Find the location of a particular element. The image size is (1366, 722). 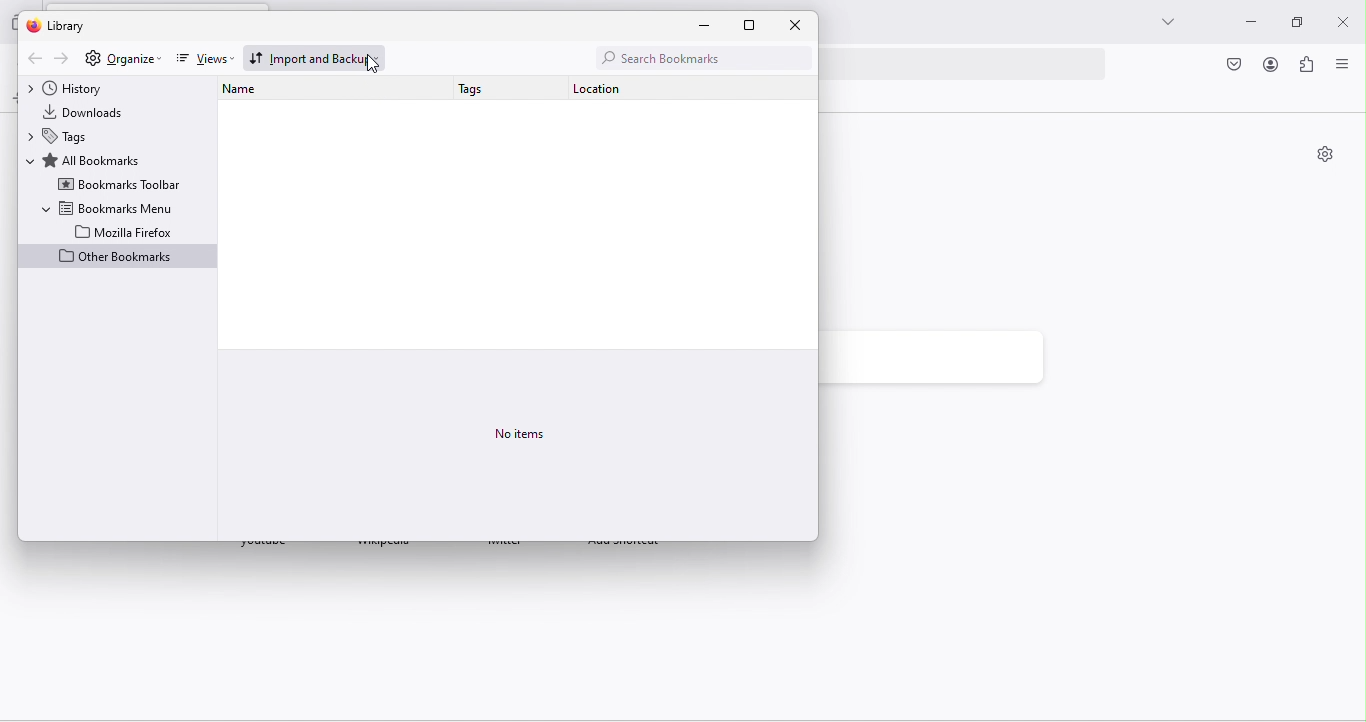

cursor is located at coordinates (371, 65).